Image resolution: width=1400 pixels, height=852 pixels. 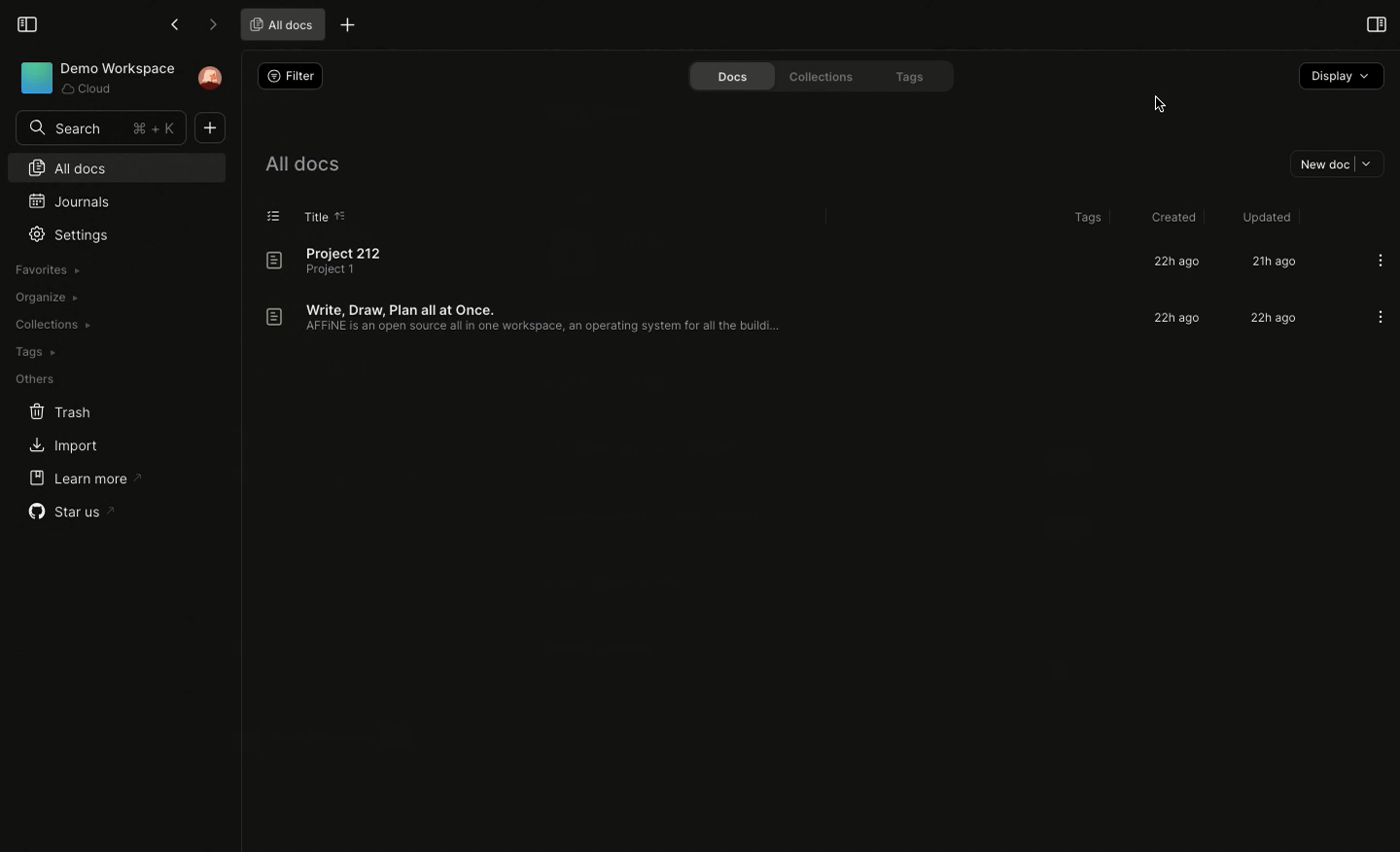 What do you see at coordinates (1333, 162) in the screenshot?
I see `New doc` at bounding box center [1333, 162].